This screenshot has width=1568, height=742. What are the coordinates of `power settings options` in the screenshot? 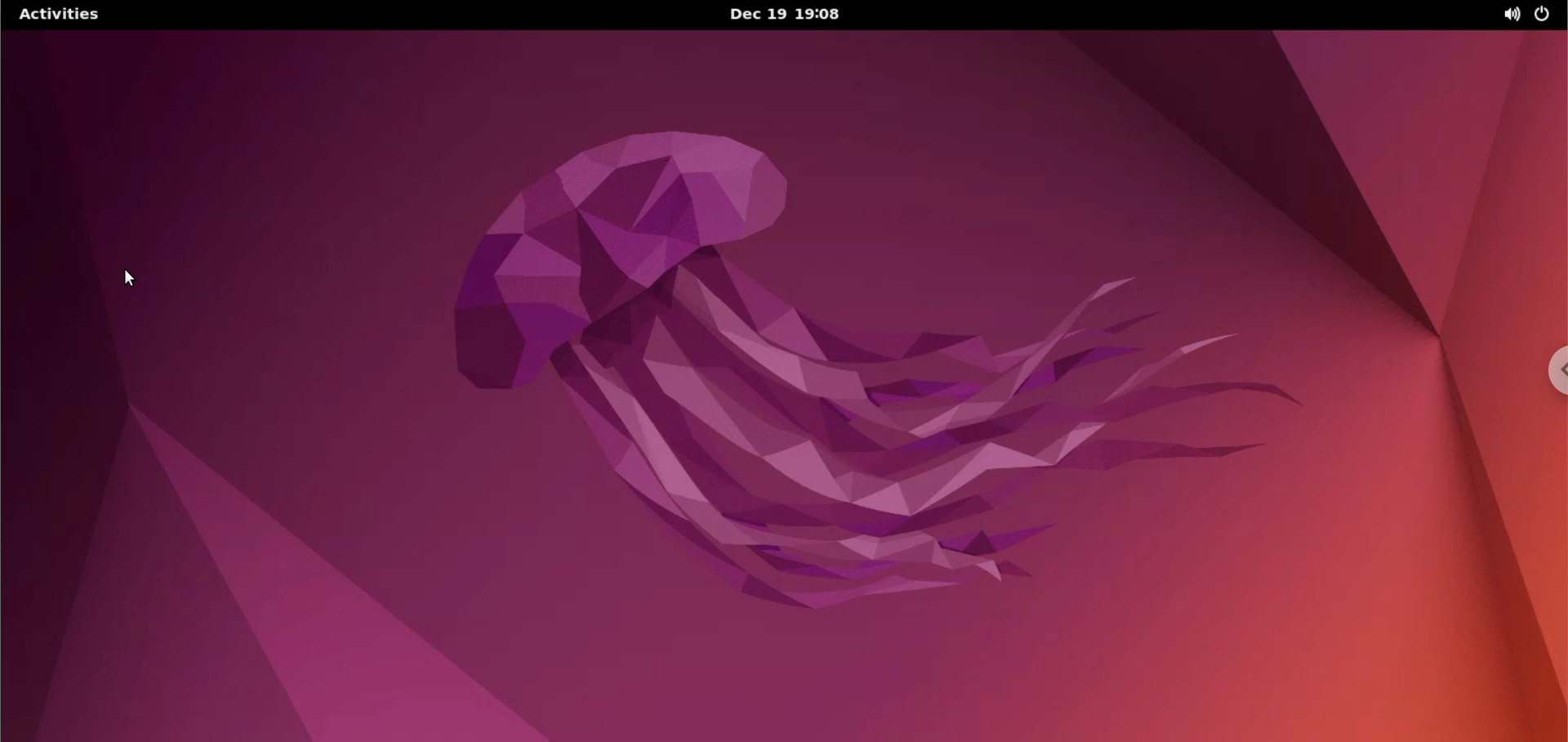 It's located at (1549, 16).